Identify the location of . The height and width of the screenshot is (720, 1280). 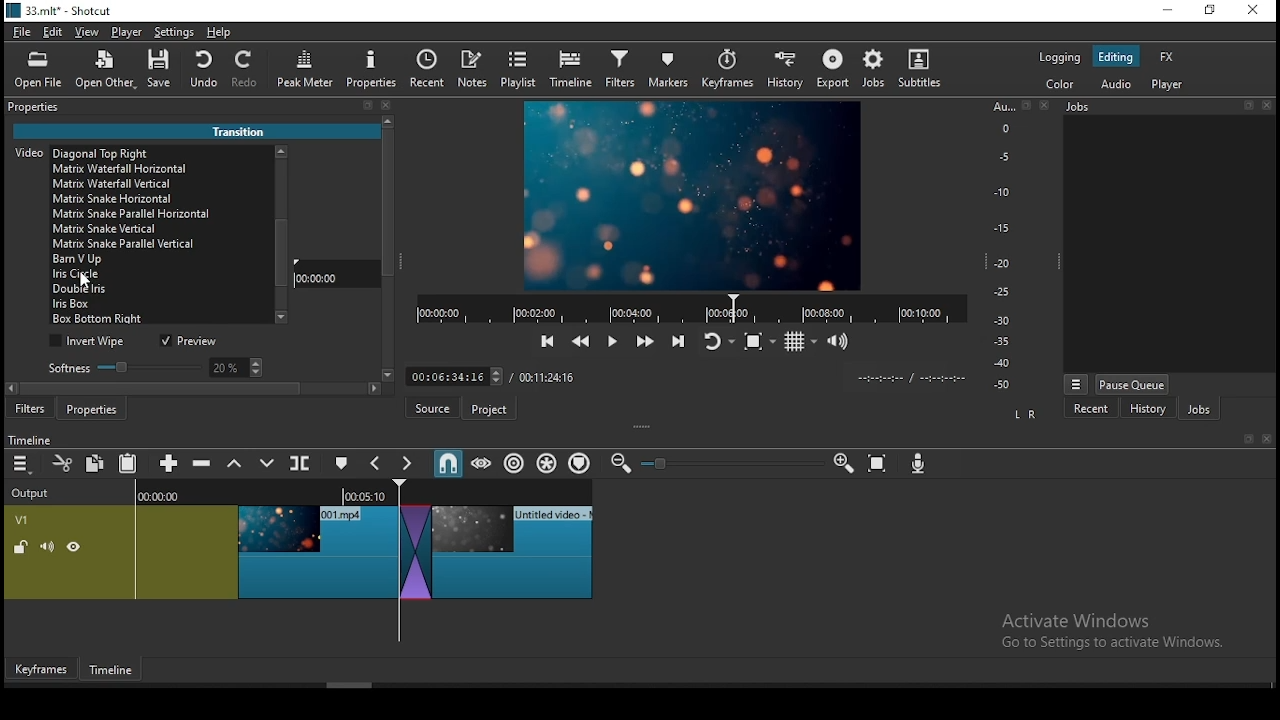
(1025, 106).